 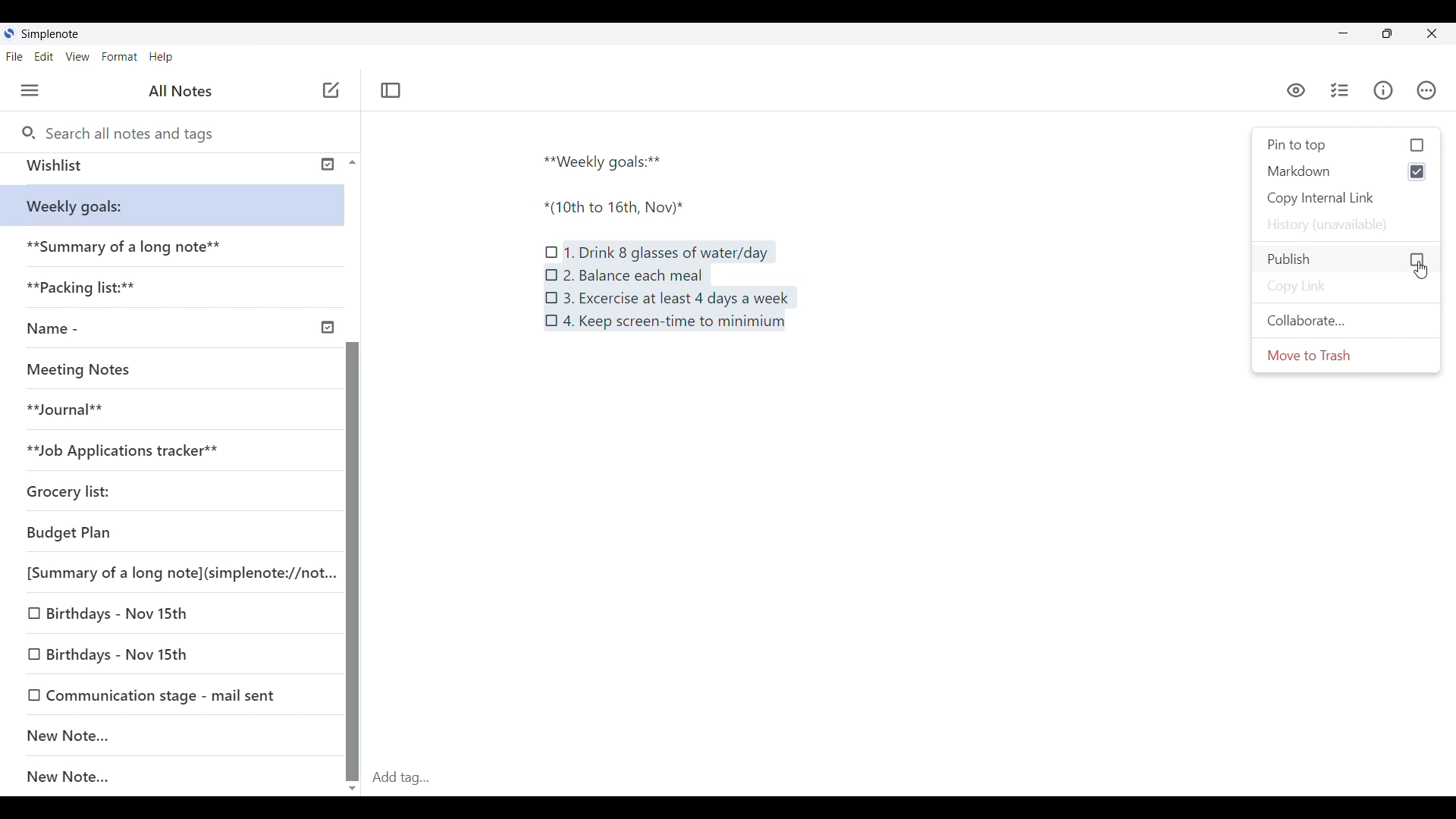 I want to click on Collaborate, so click(x=1305, y=324).